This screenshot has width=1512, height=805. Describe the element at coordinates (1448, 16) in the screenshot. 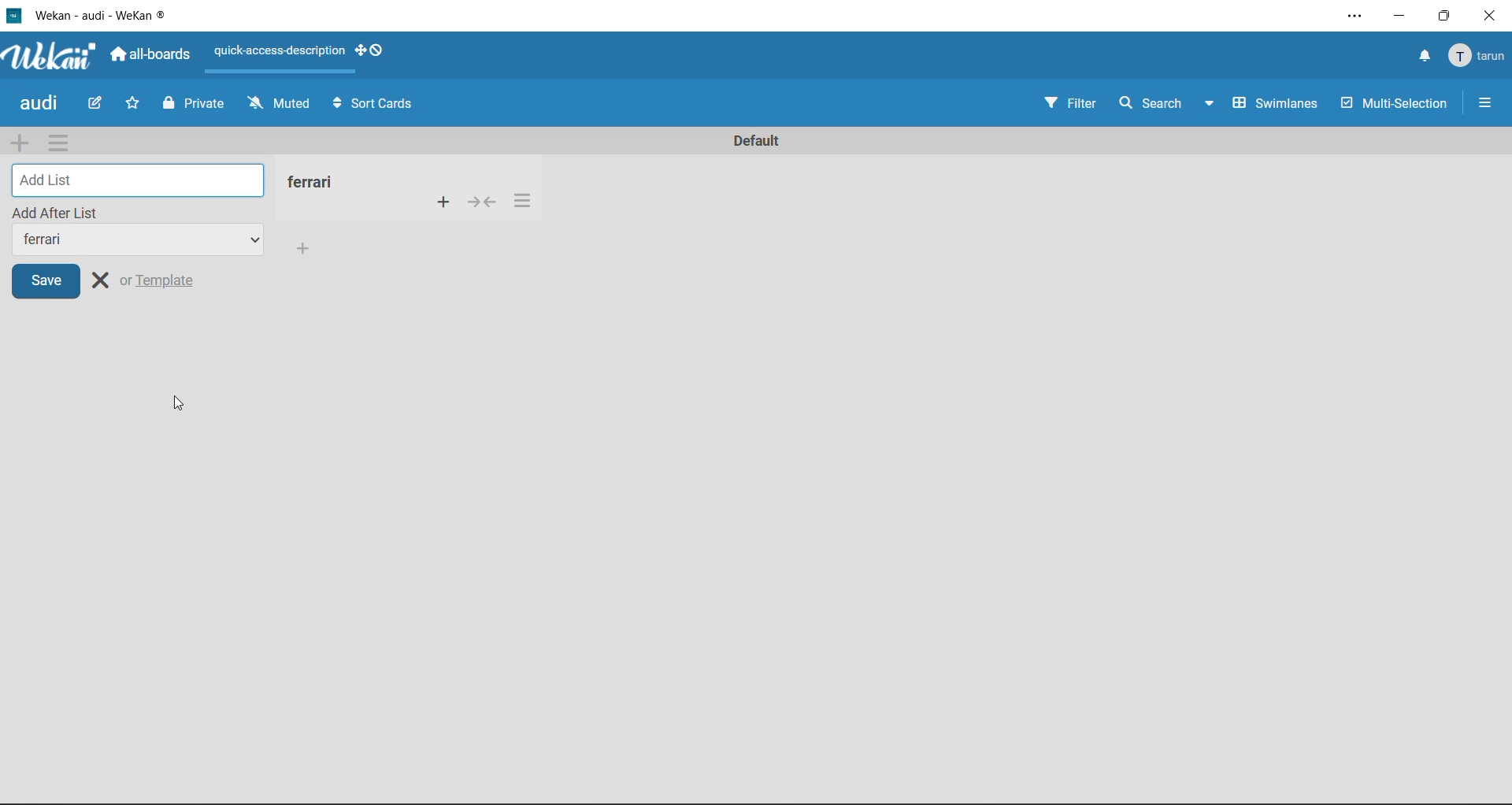

I see `maximize` at that location.